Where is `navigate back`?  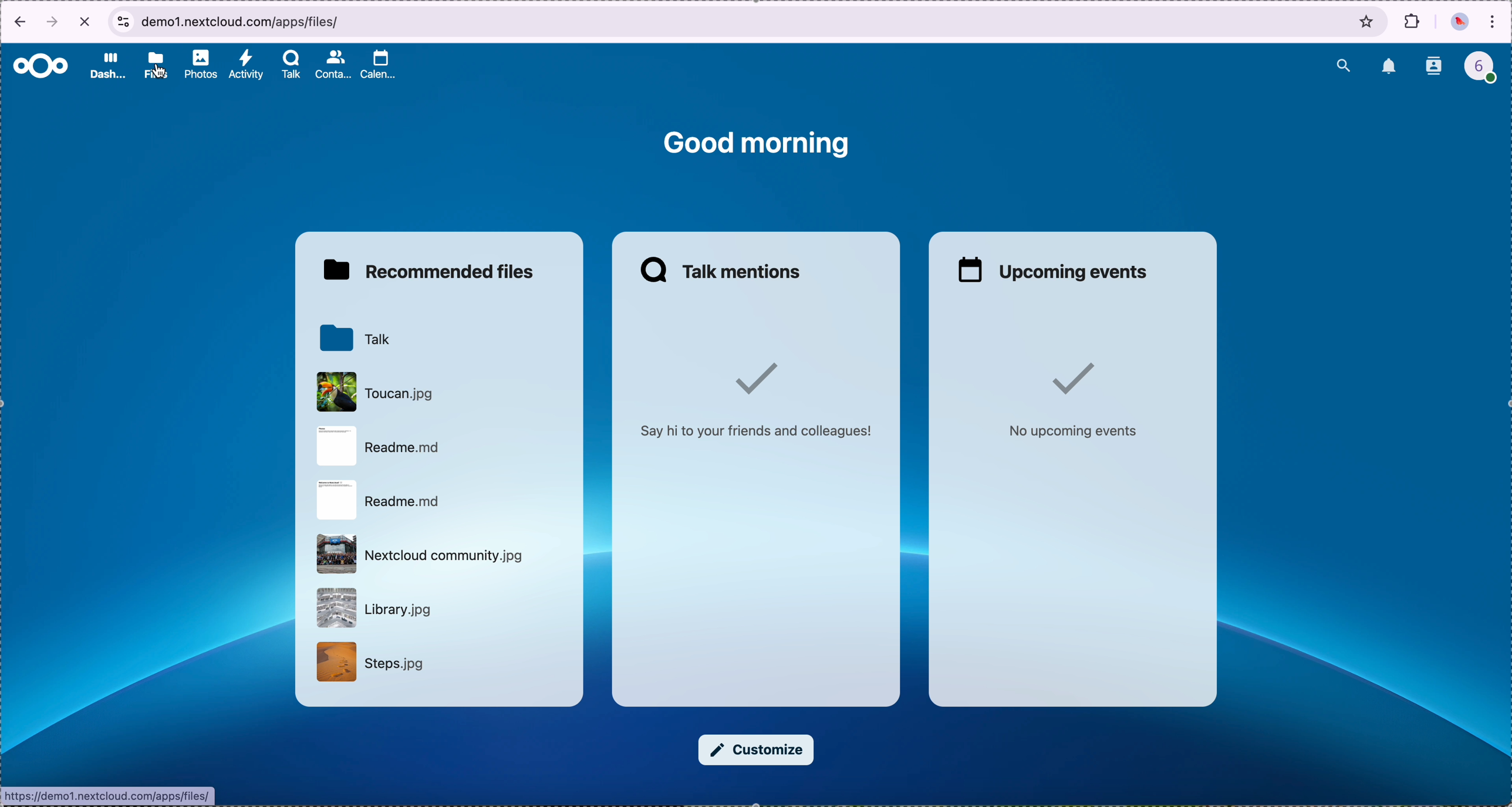 navigate back is located at coordinates (16, 24).